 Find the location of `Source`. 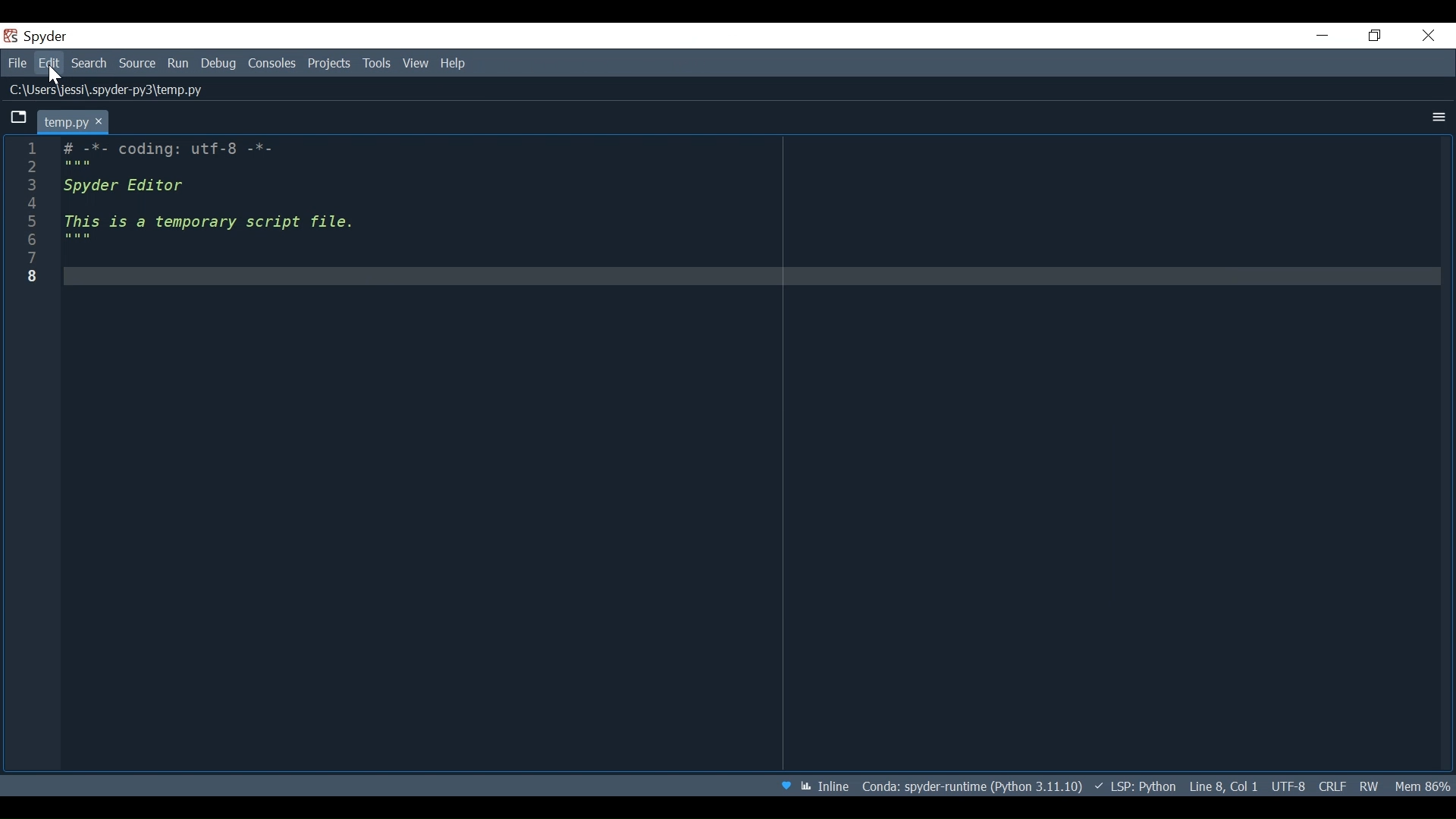

Source is located at coordinates (138, 64).